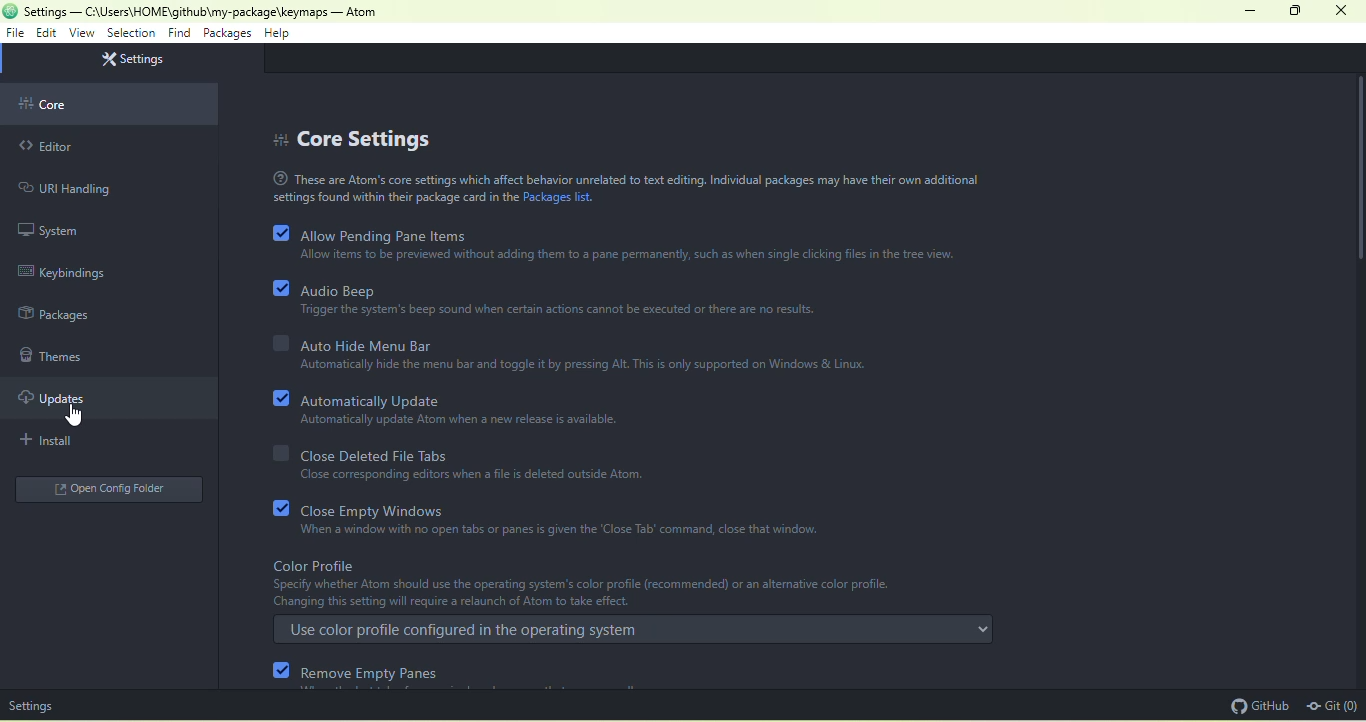  Describe the element at coordinates (342, 290) in the screenshot. I see `audio beep` at that location.